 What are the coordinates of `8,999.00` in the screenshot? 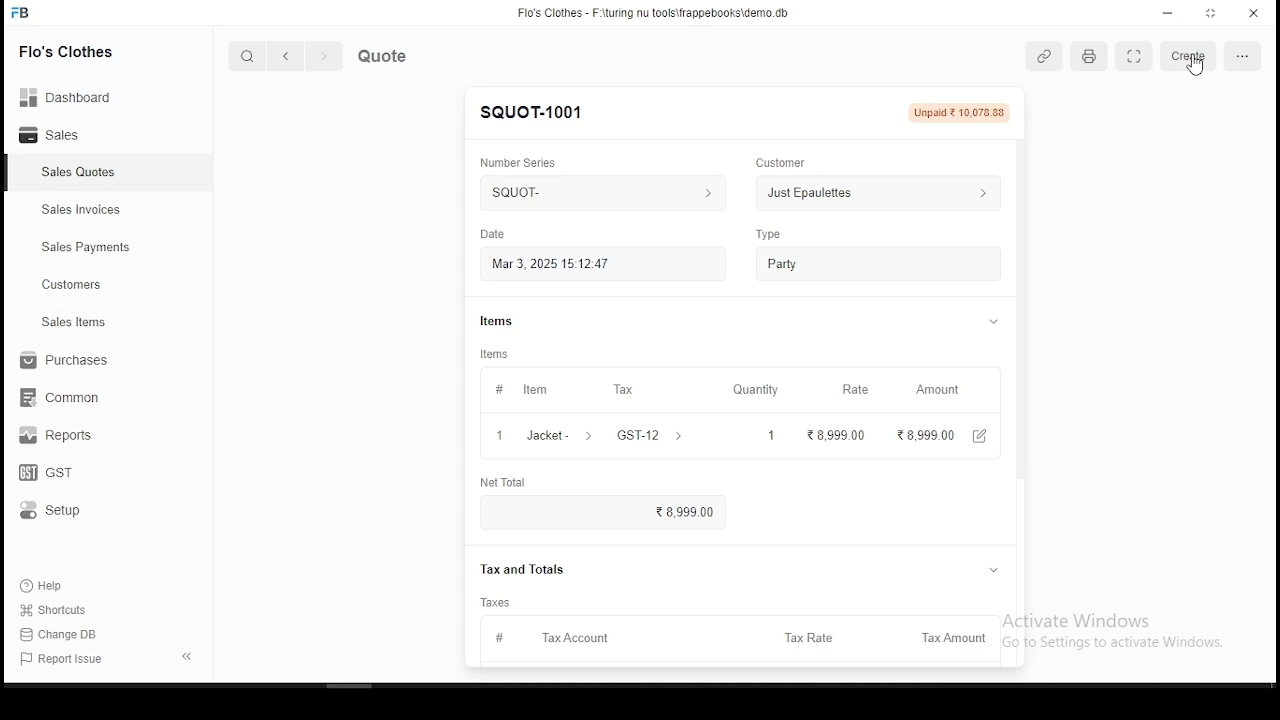 It's located at (605, 514).